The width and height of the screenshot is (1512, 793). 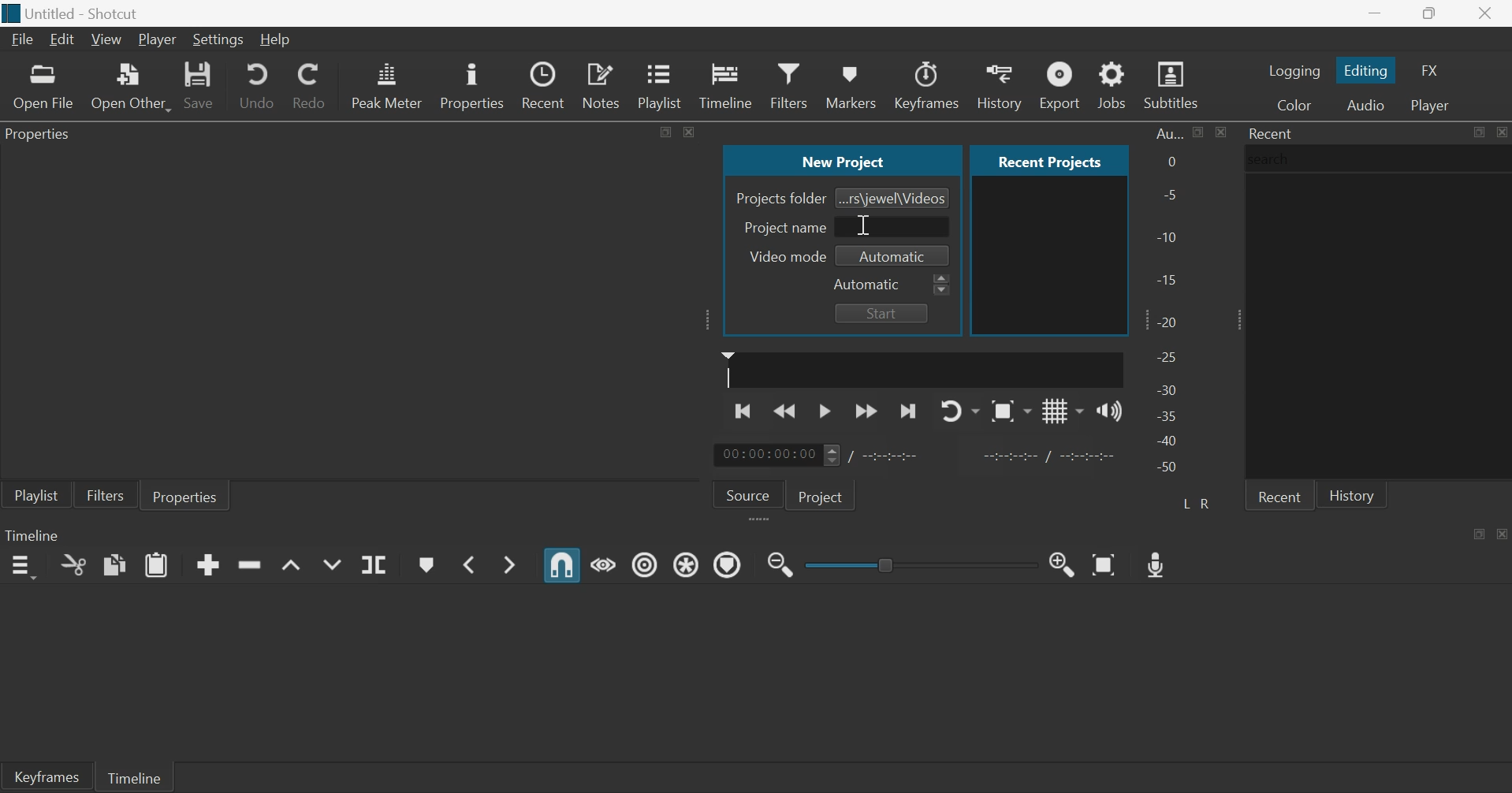 I want to click on Settings, so click(x=218, y=40).